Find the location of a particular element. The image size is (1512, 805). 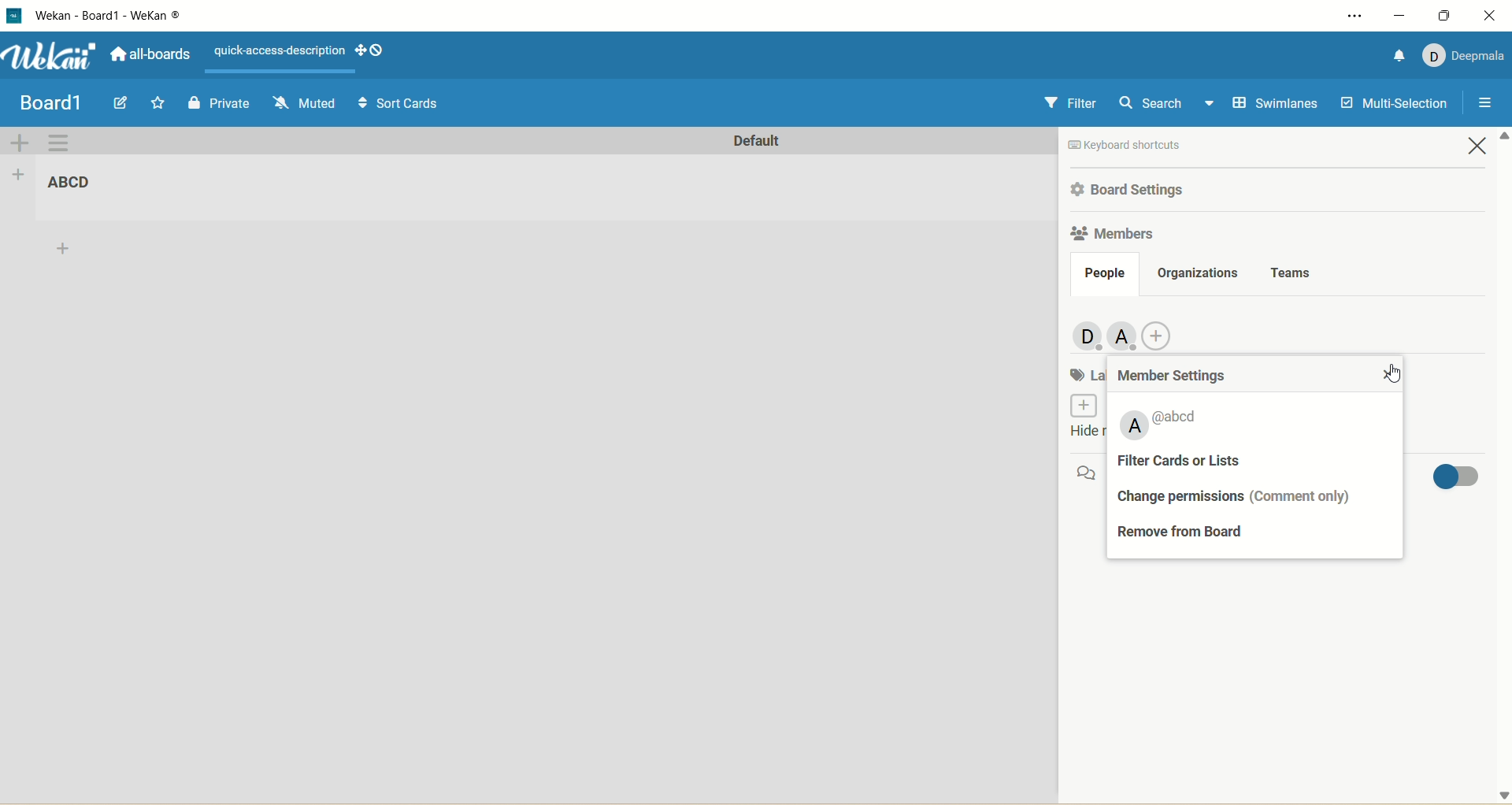

Start is located at coordinates (160, 102).